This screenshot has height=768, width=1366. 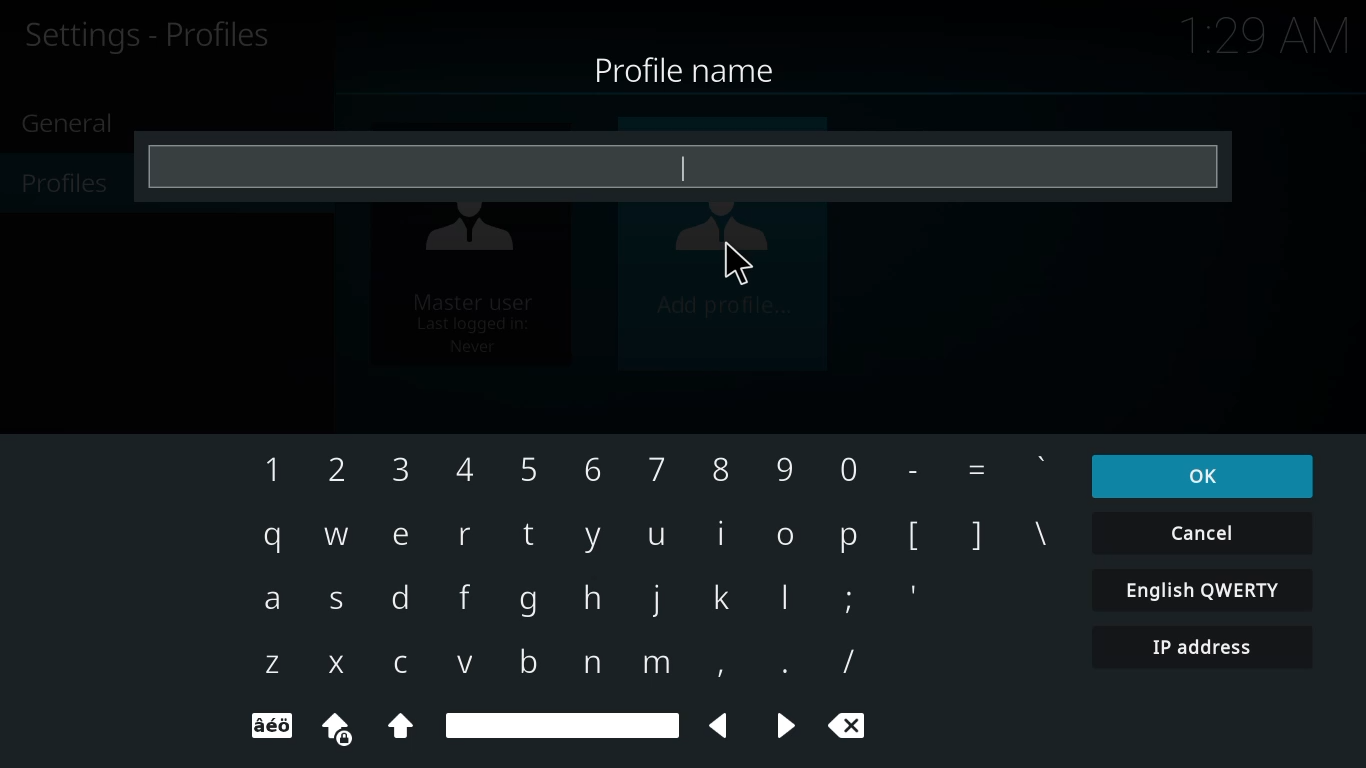 What do you see at coordinates (587, 595) in the screenshot?
I see `h` at bounding box center [587, 595].